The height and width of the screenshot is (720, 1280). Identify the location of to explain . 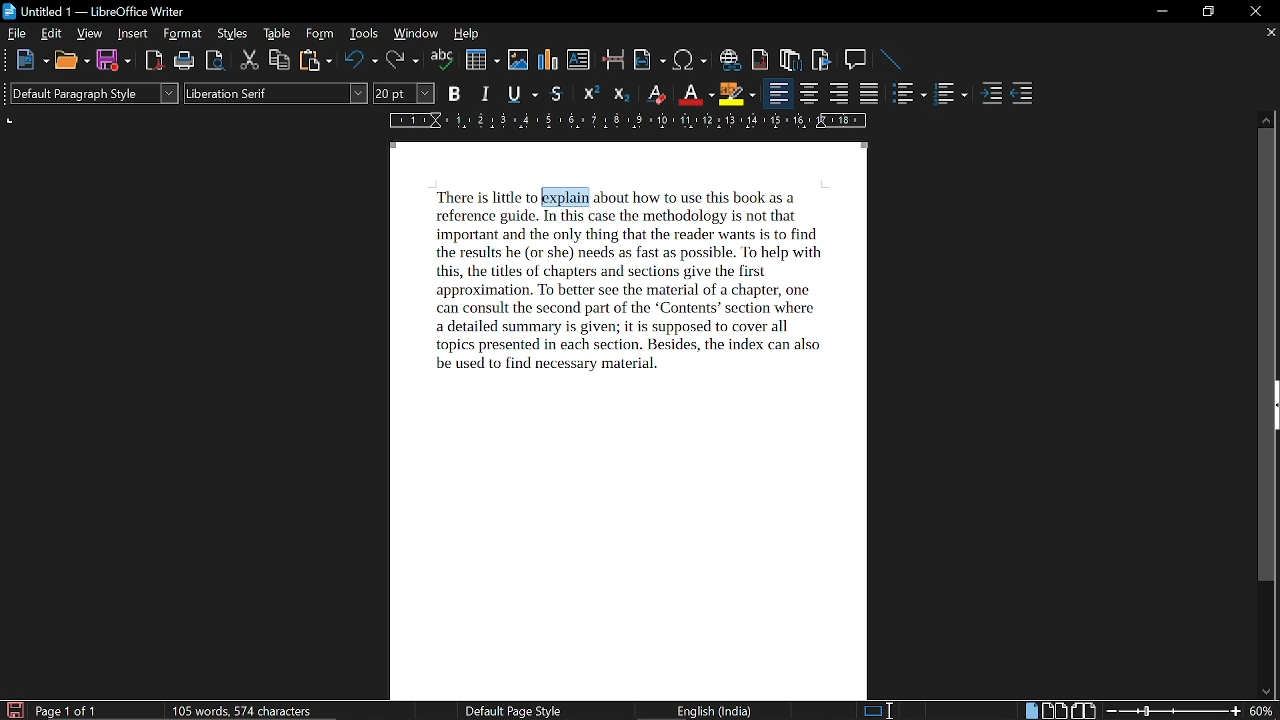
(565, 196).